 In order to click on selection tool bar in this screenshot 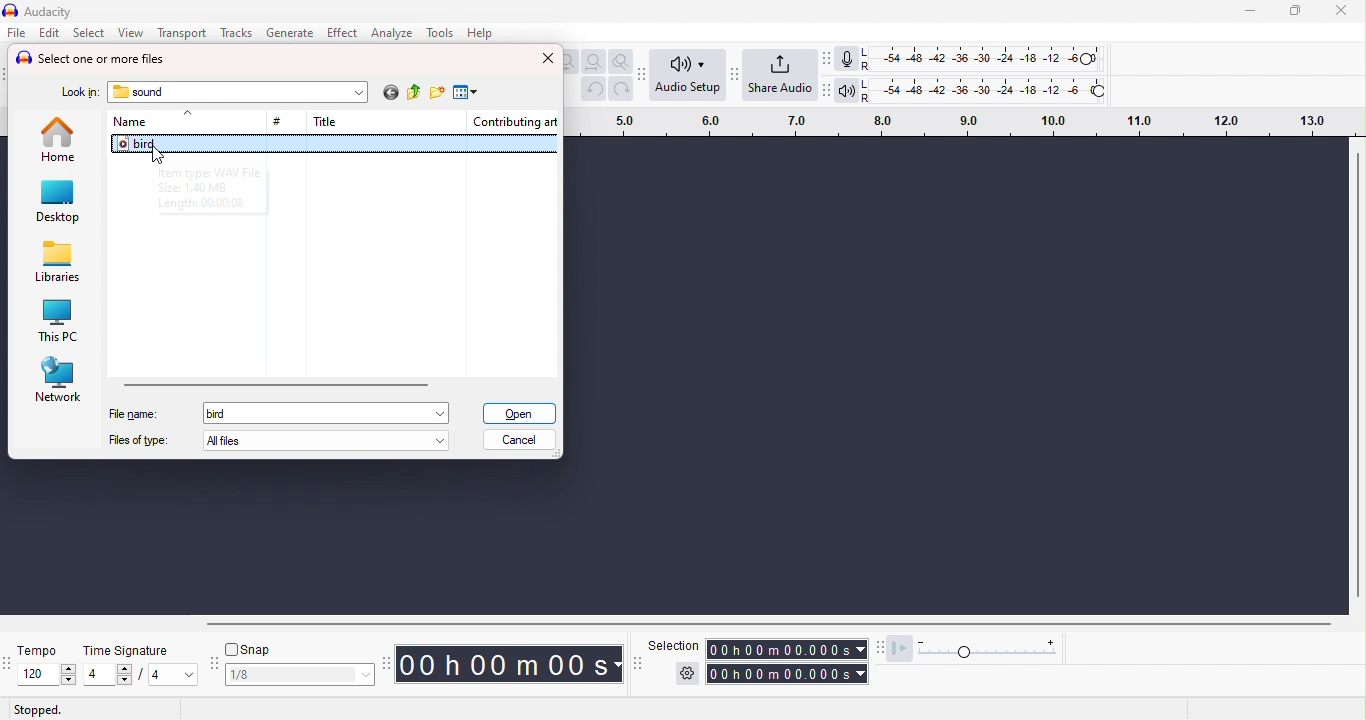, I will do `click(636, 662)`.